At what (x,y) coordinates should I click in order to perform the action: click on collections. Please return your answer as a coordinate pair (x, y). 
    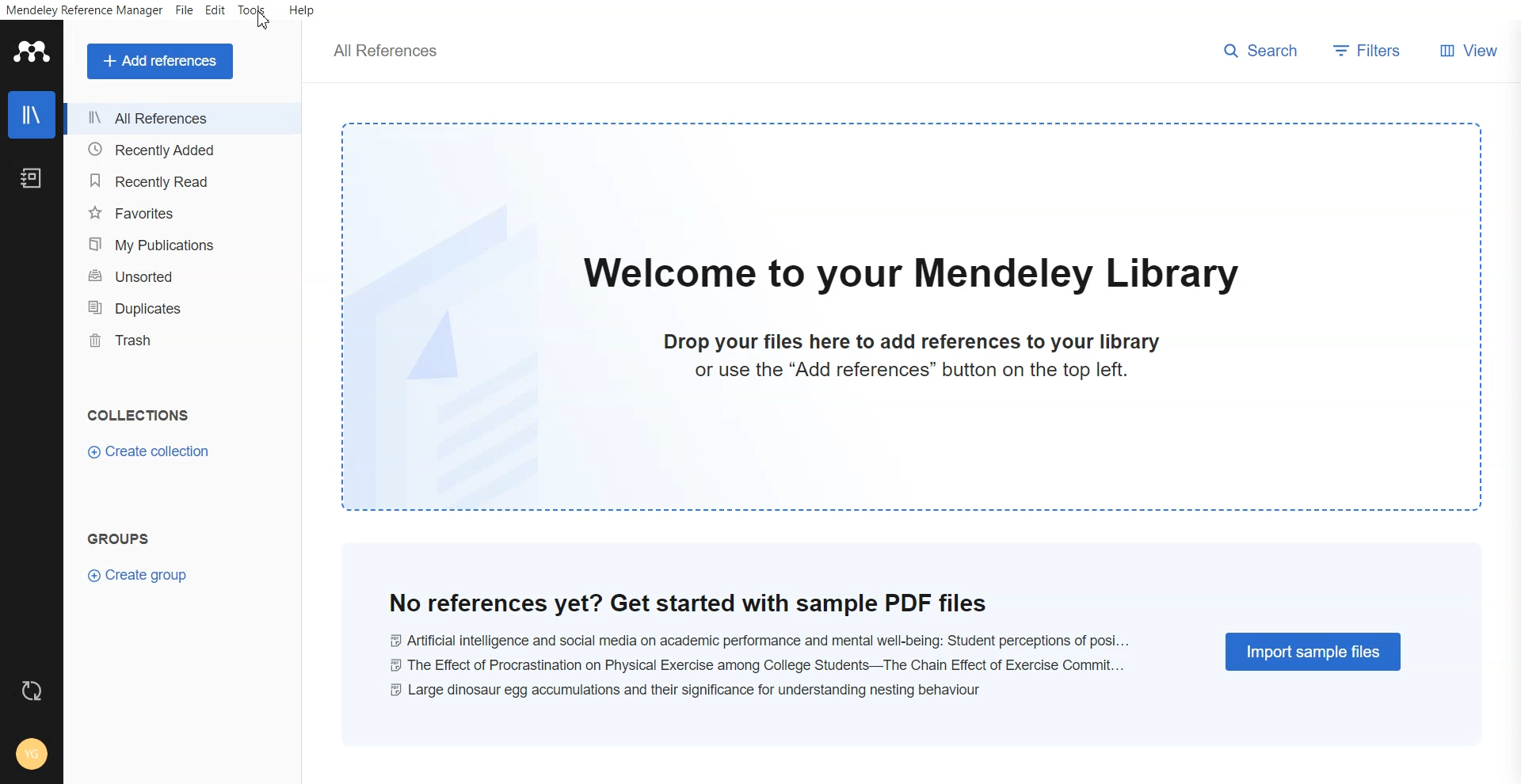
    Looking at the image, I should click on (139, 414).